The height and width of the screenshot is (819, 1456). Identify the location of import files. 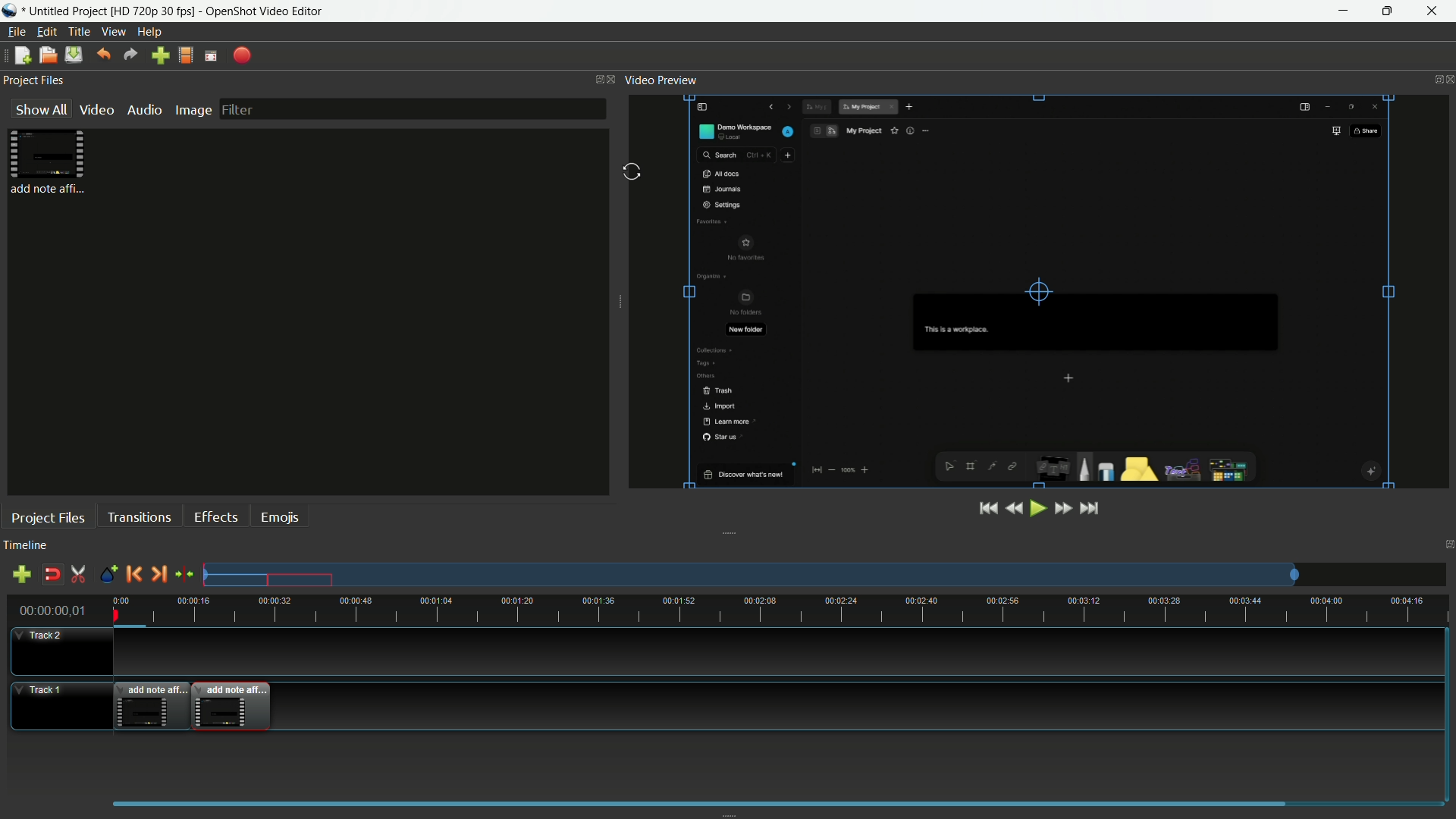
(159, 56).